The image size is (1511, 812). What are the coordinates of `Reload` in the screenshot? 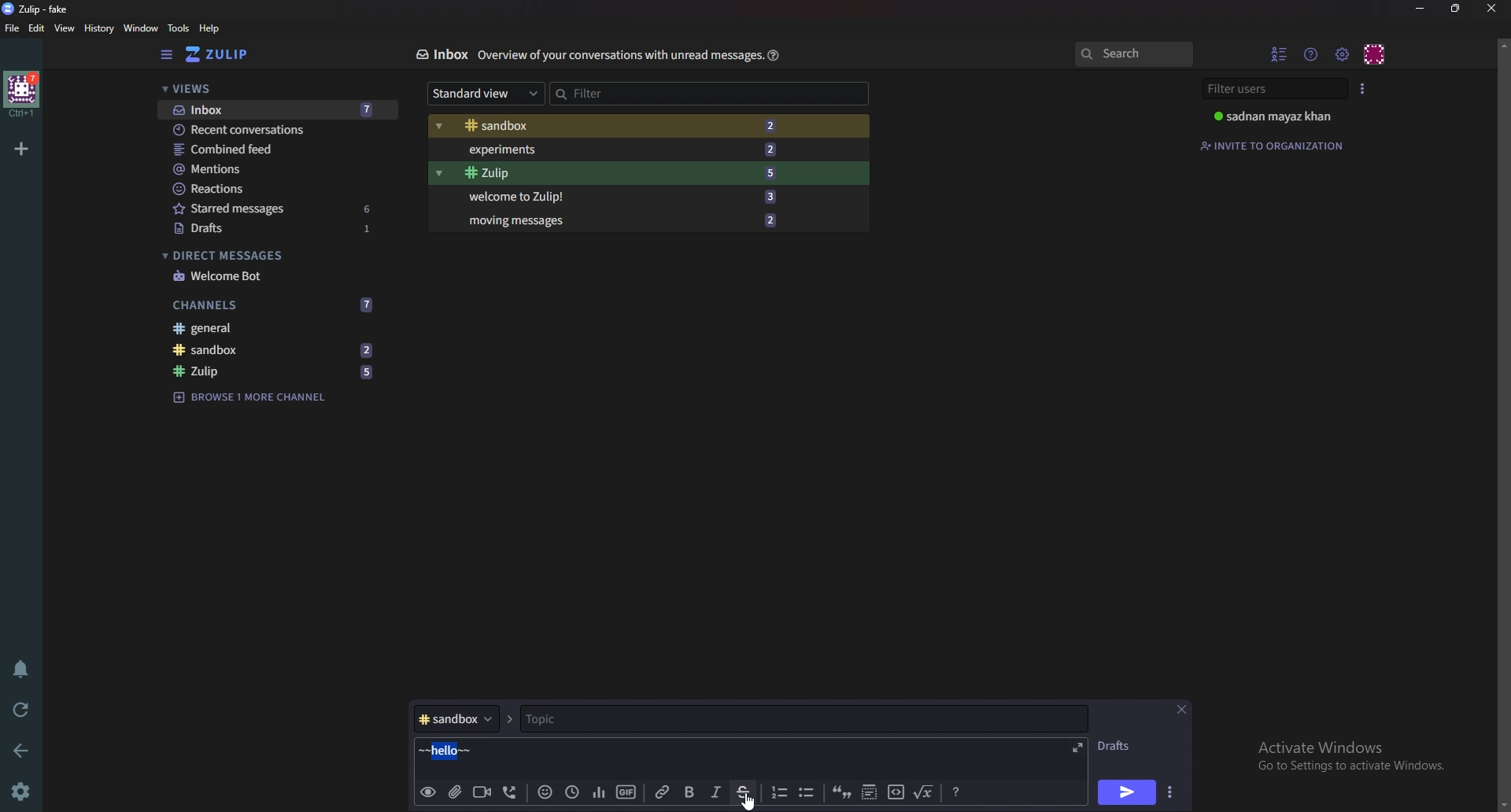 It's located at (20, 707).